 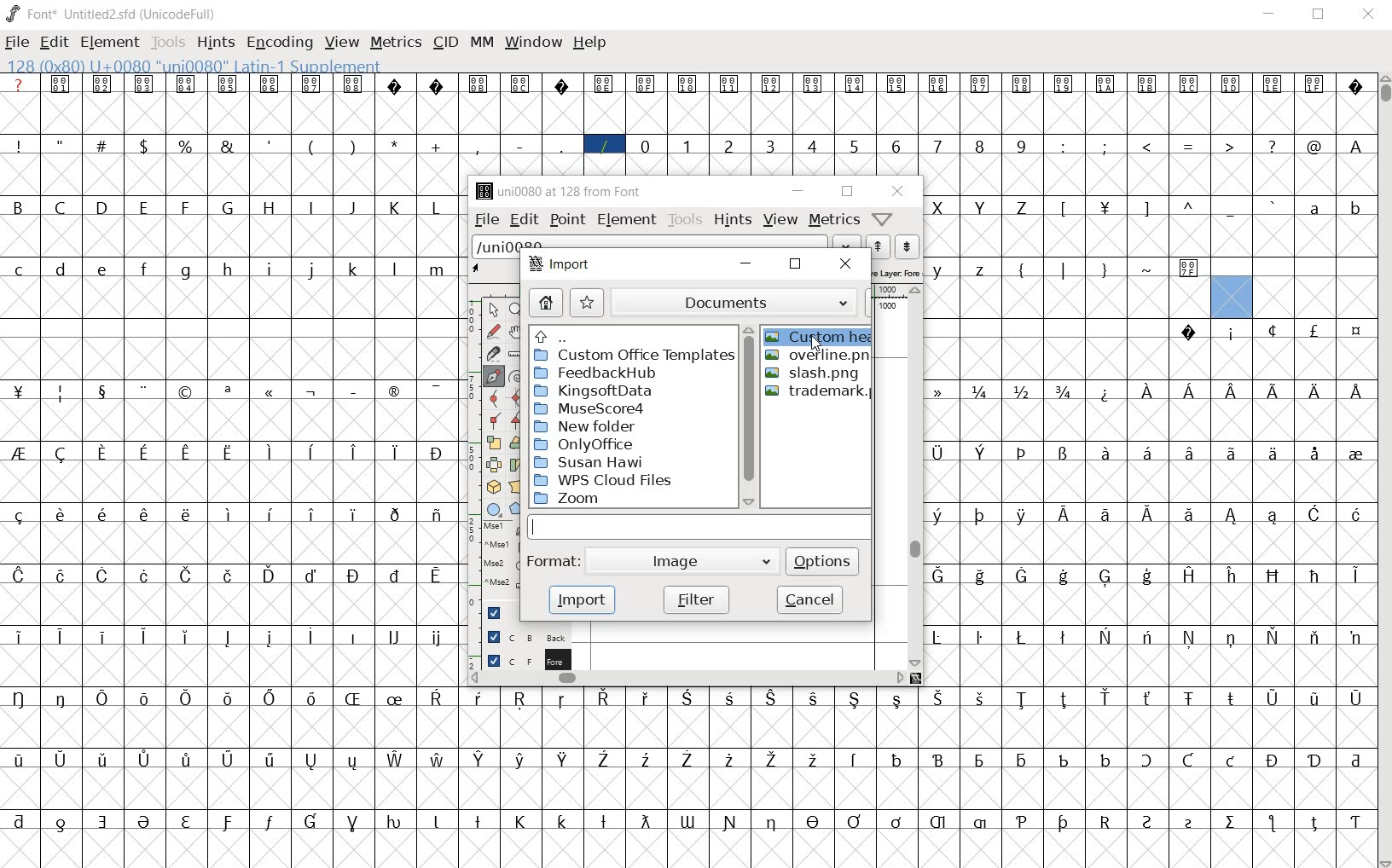 What do you see at coordinates (564, 759) in the screenshot?
I see `glyph` at bounding box center [564, 759].